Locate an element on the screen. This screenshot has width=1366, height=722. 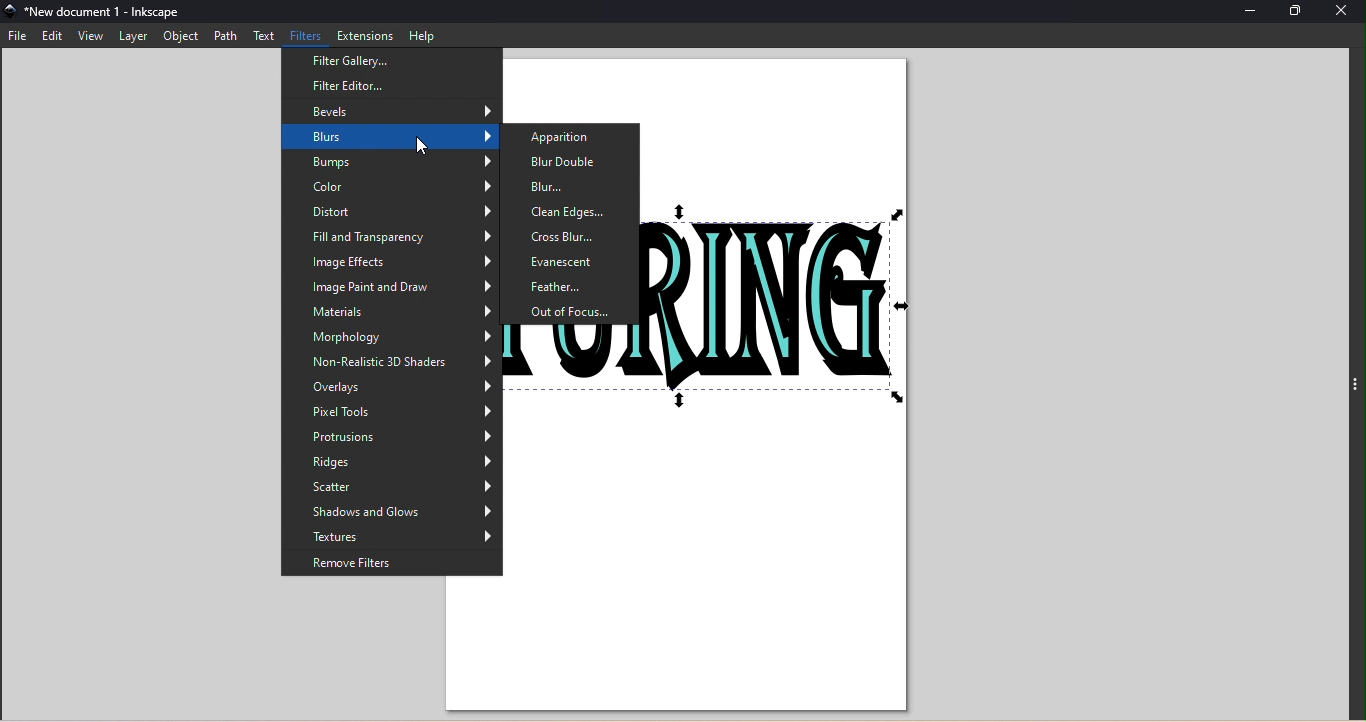
Help is located at coordinates (422, 36).